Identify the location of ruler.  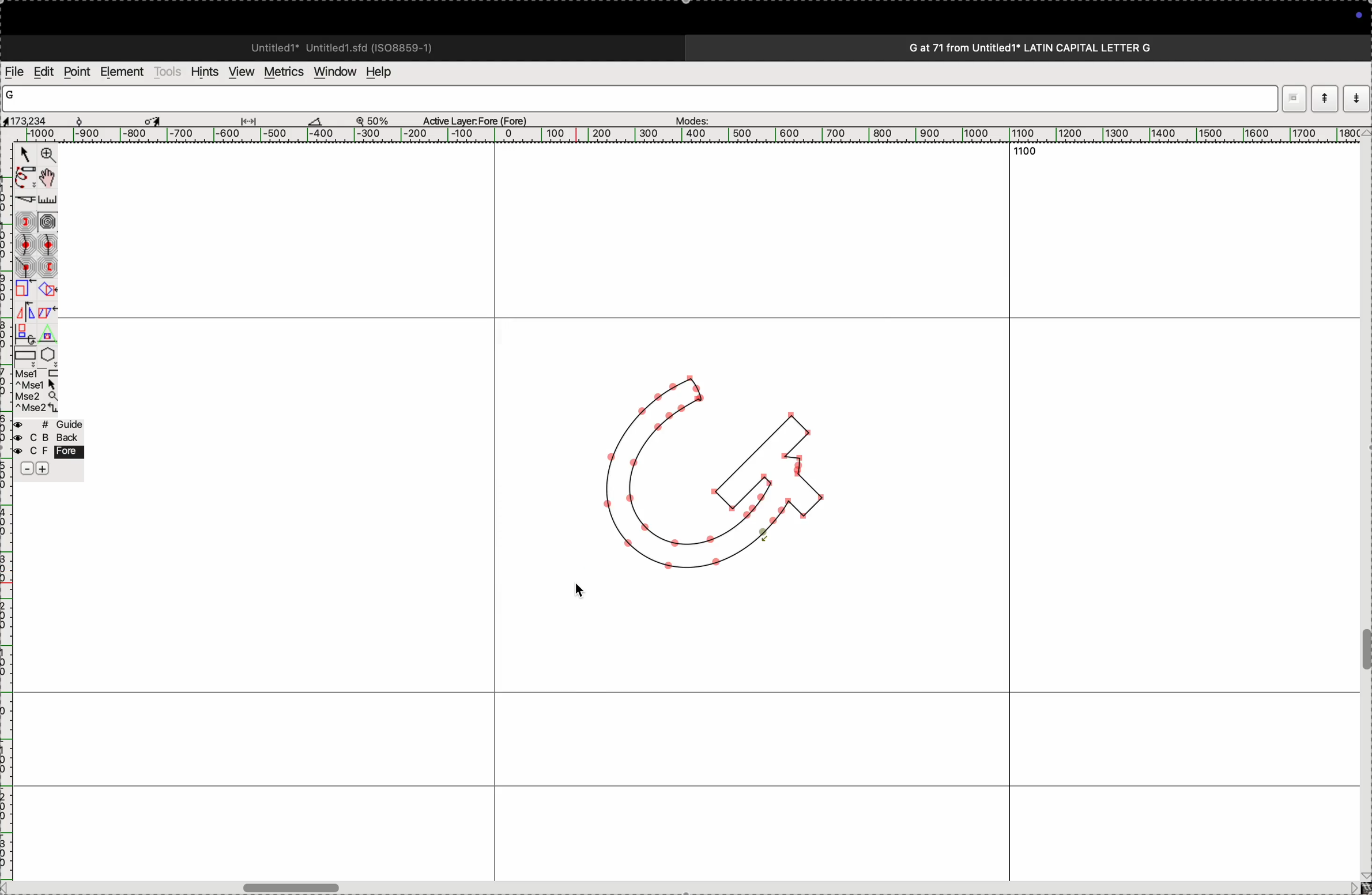
(8, 689).